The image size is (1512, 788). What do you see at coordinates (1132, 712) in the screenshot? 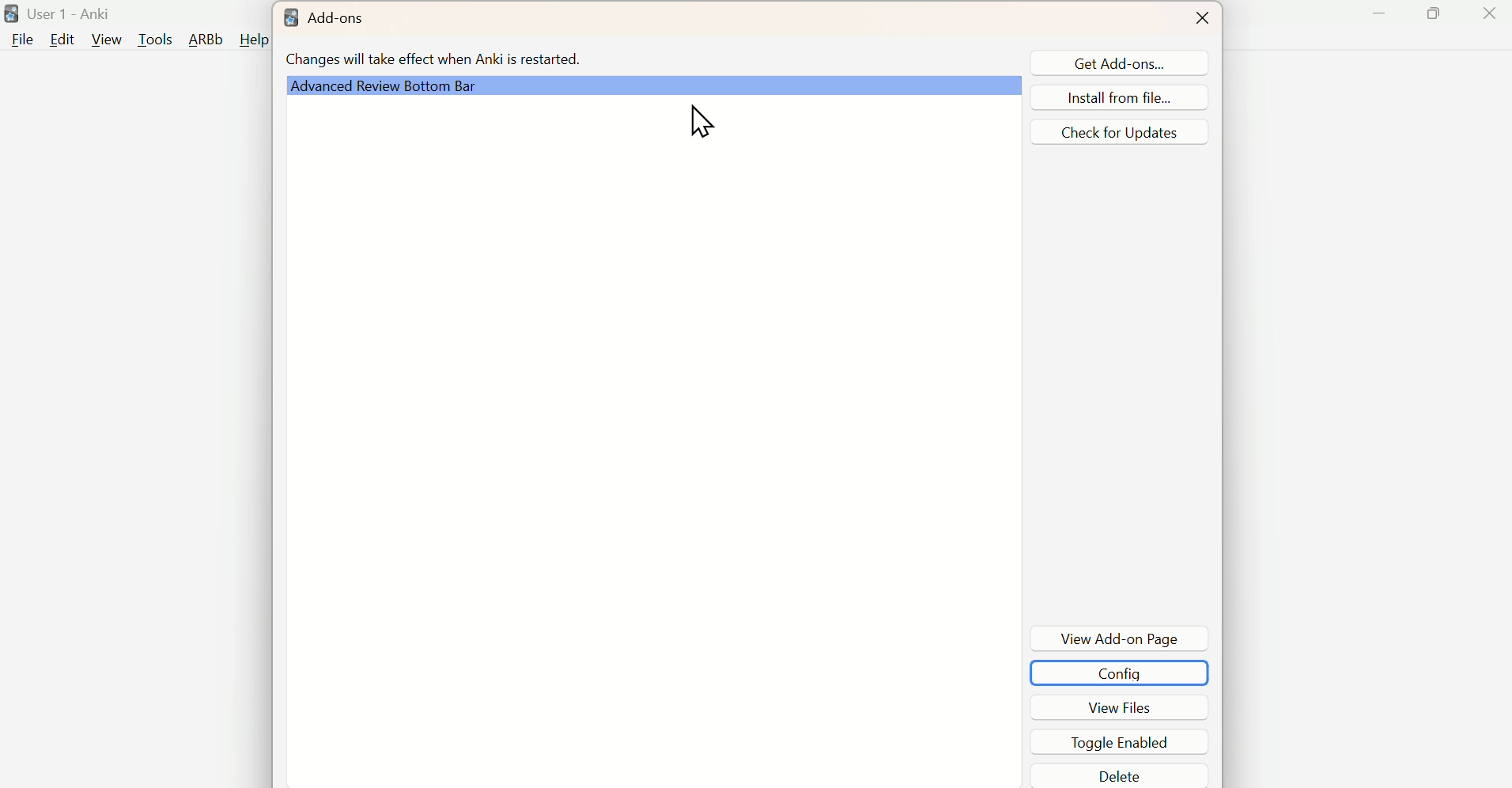
I see `View Files` at bounding box center [1132, 712].